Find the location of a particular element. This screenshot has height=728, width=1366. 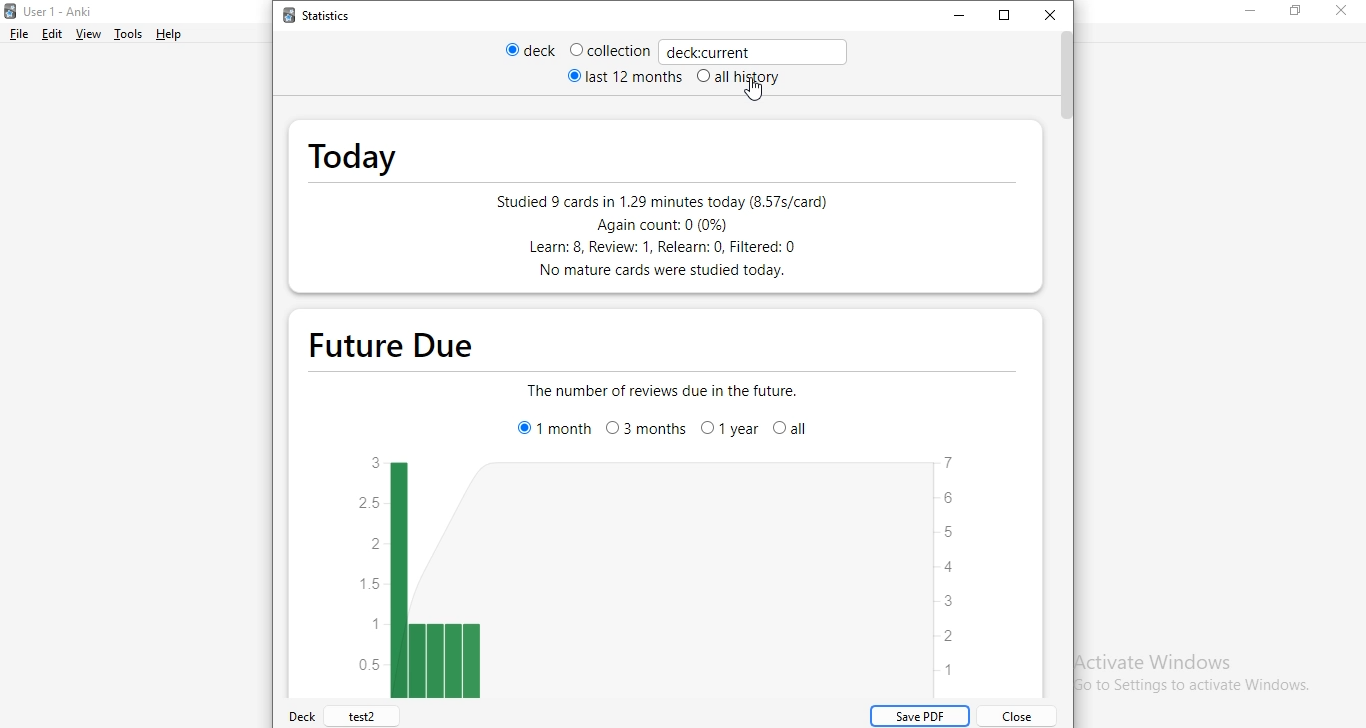

close is located at coordinates (1020, 716).